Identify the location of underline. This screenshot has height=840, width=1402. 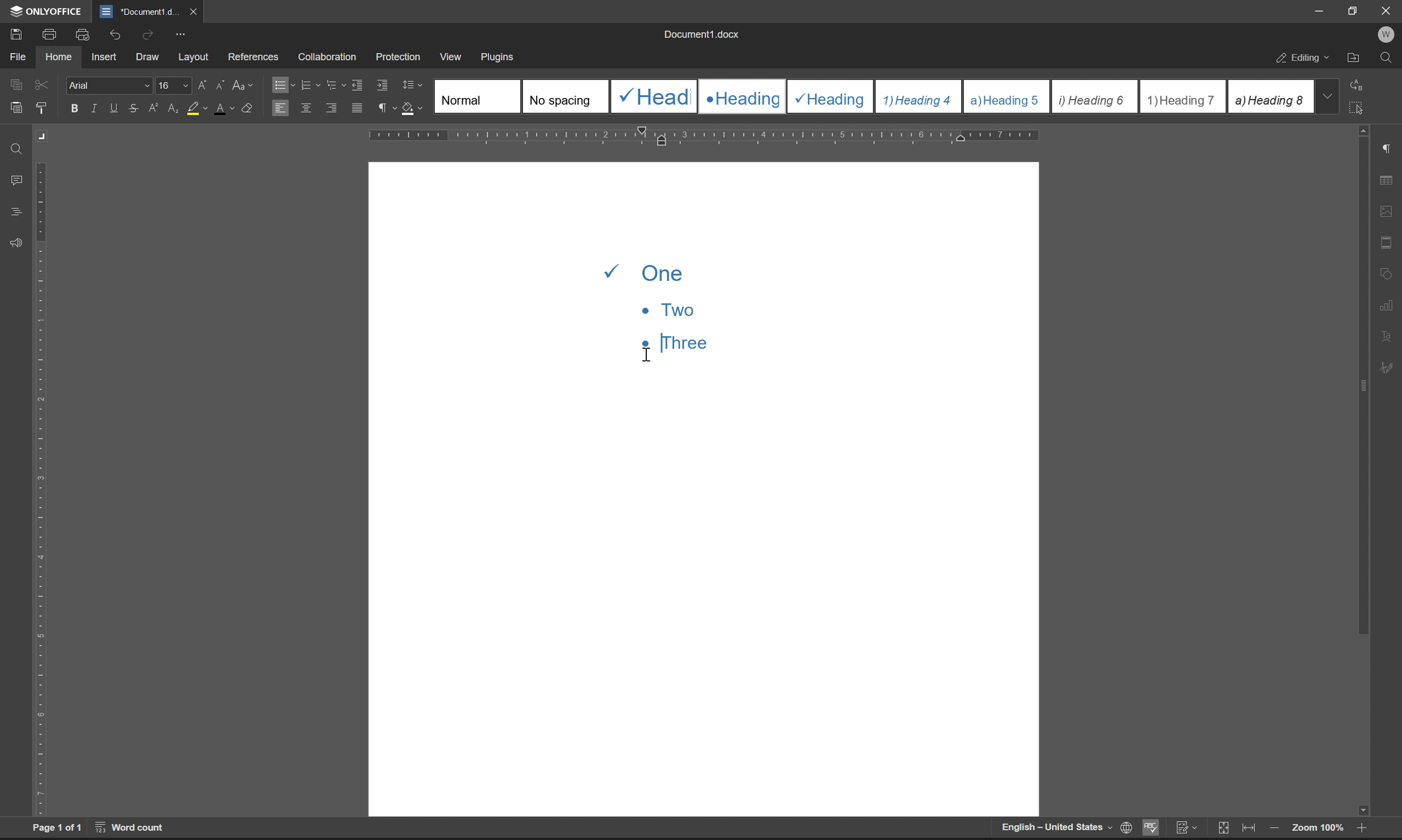
(115, 108).